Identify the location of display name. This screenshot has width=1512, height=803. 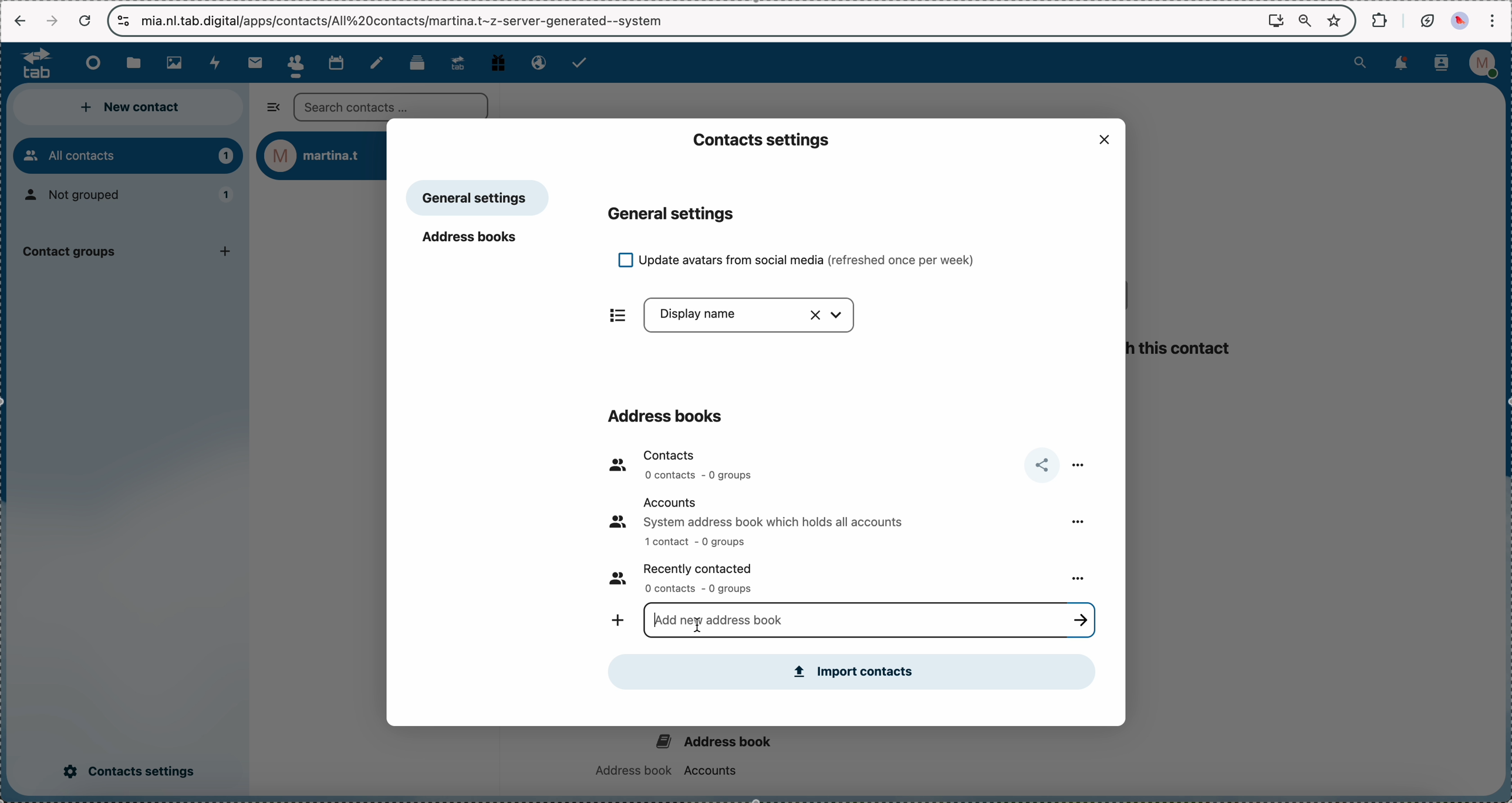
(753, 317).